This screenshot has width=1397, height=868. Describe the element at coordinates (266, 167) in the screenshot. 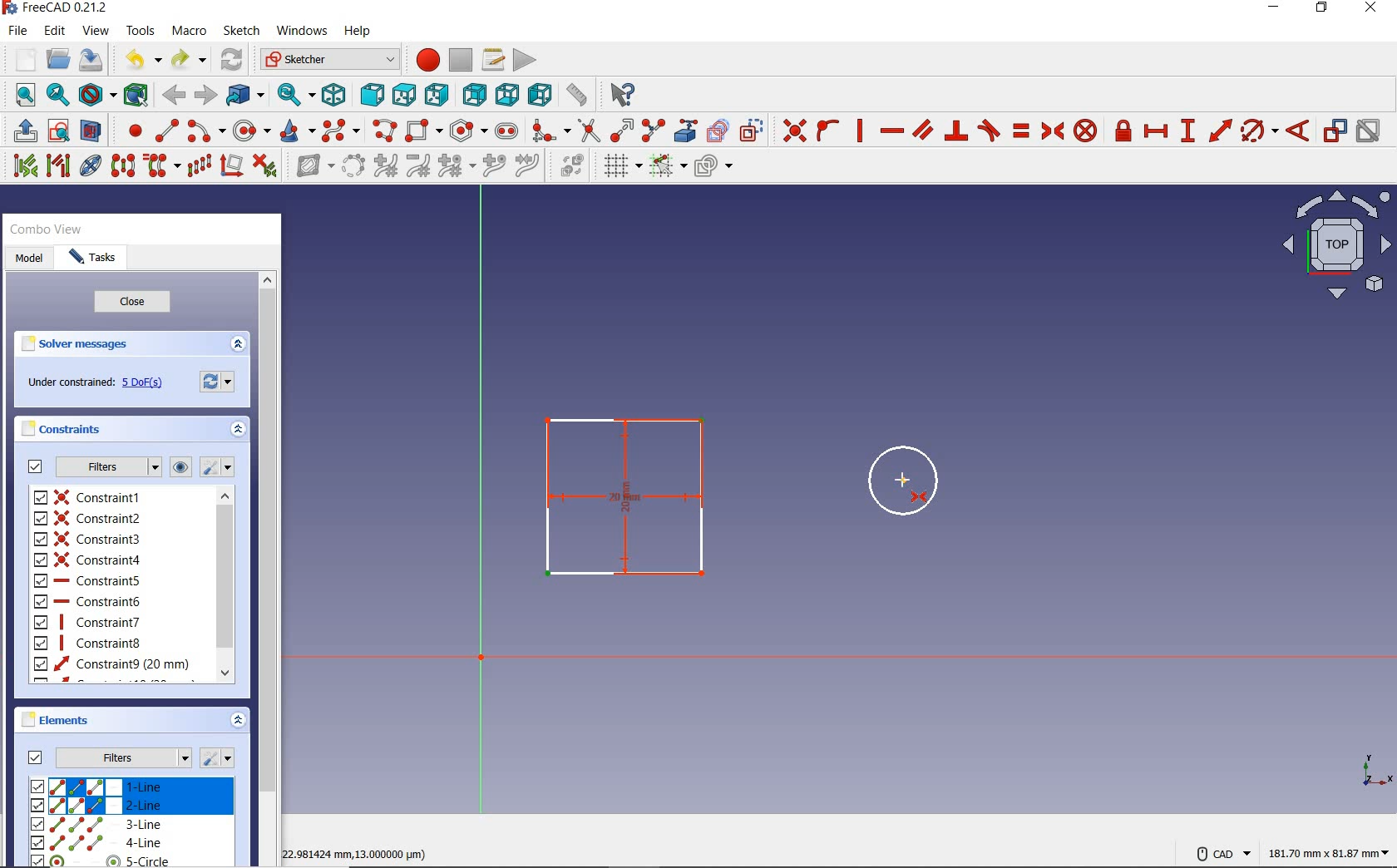

I see `delete all constraints` at that location.